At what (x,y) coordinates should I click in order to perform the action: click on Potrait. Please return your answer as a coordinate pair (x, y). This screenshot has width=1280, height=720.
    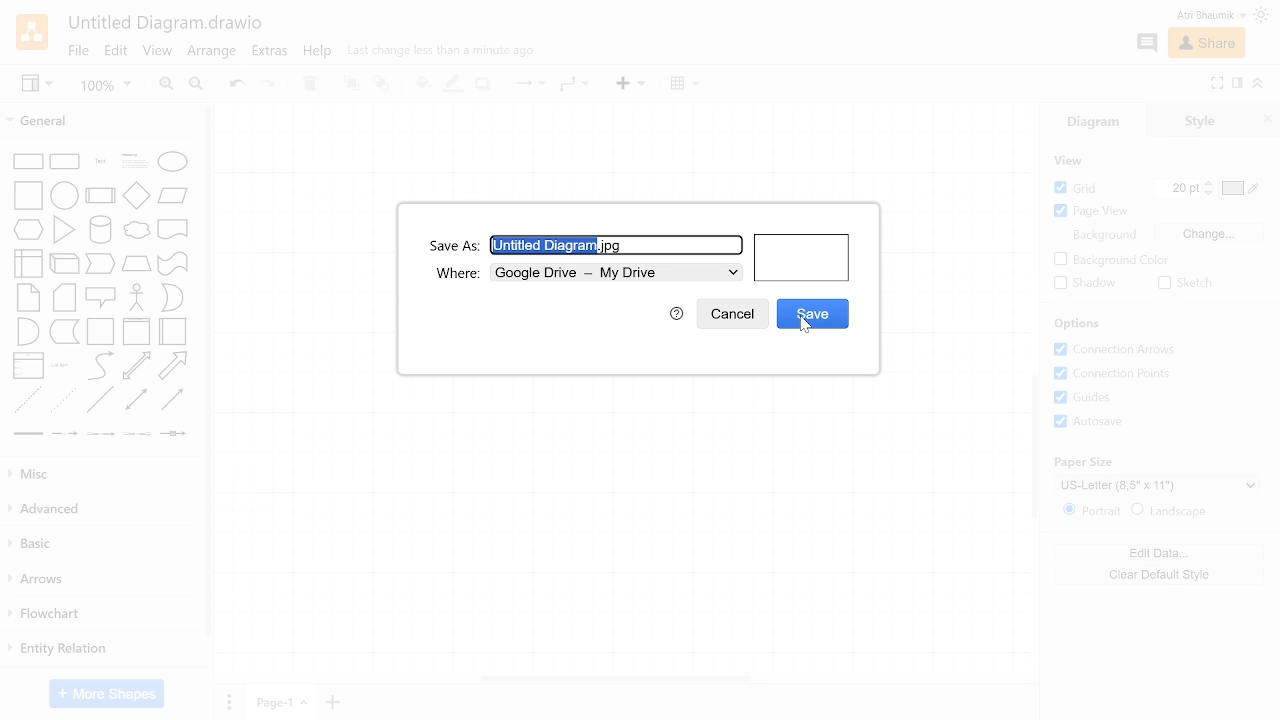
    Looking at the image, I should click on (1090, 510).